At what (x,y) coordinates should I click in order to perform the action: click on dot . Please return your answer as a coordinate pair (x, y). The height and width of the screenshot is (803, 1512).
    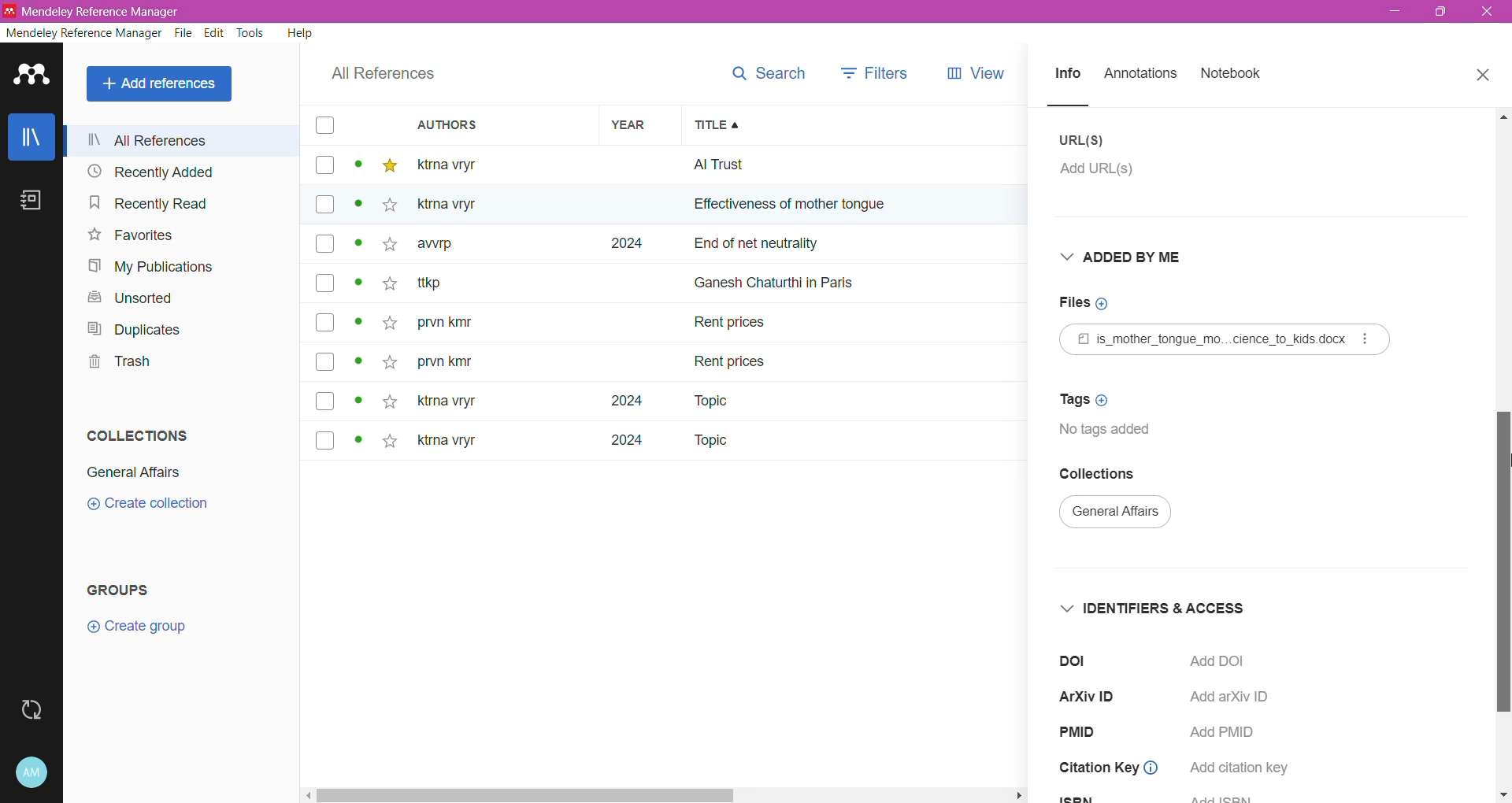
    Looking at the image, I should click on (354, 209).